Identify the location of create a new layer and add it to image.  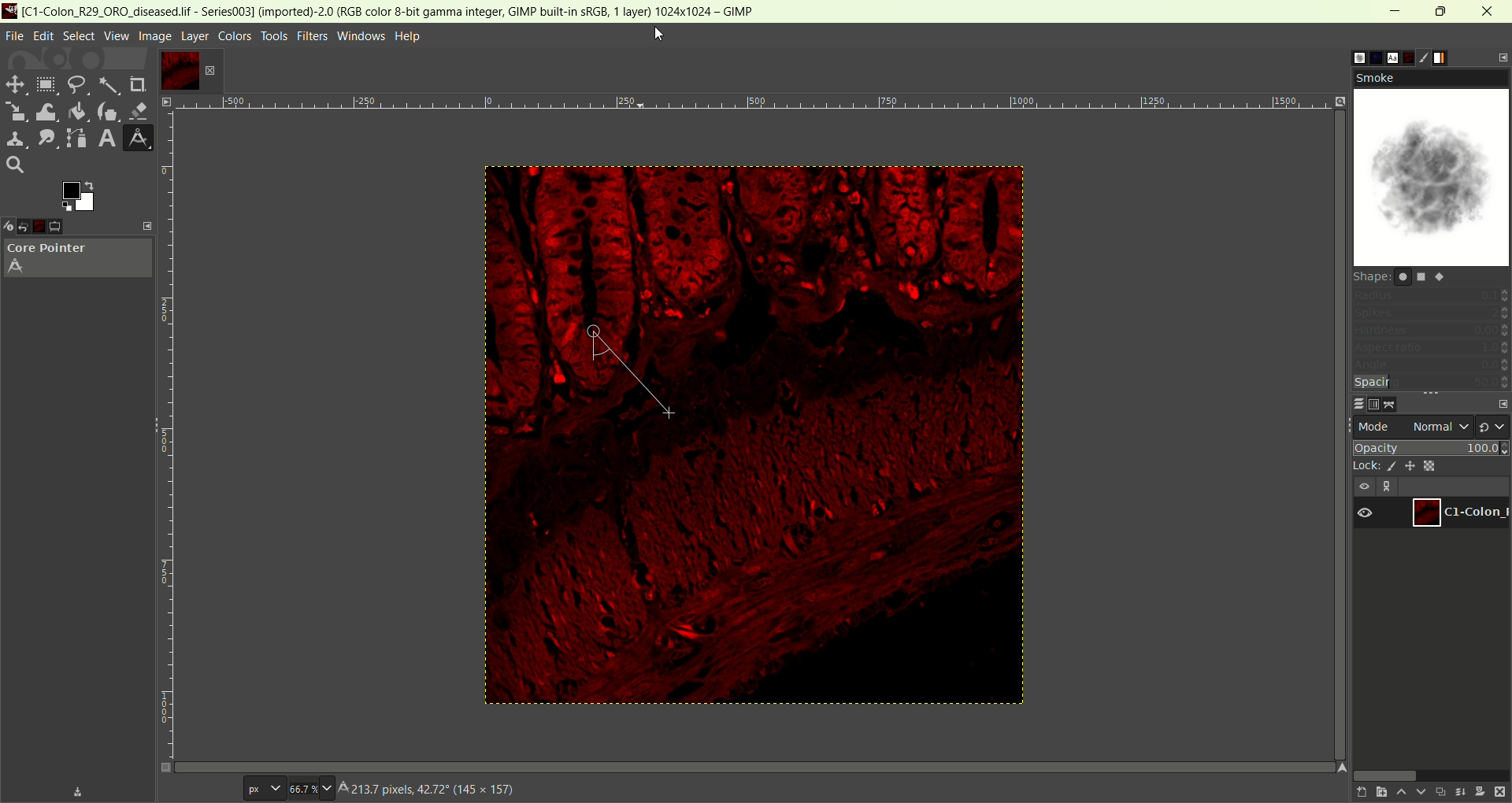
(1377, 793).